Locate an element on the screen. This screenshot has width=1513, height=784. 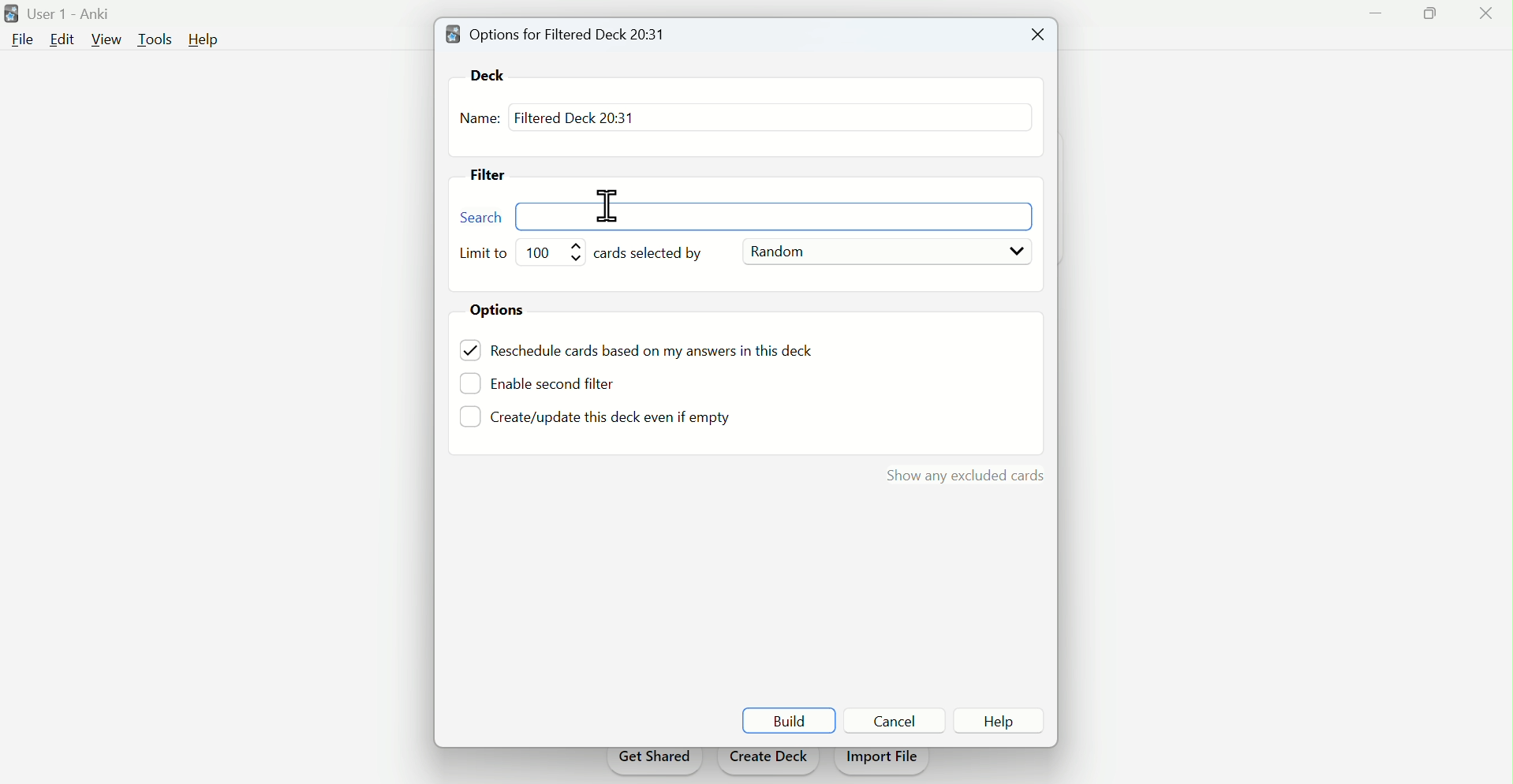
Get shared is located at coordinates (653, 762).